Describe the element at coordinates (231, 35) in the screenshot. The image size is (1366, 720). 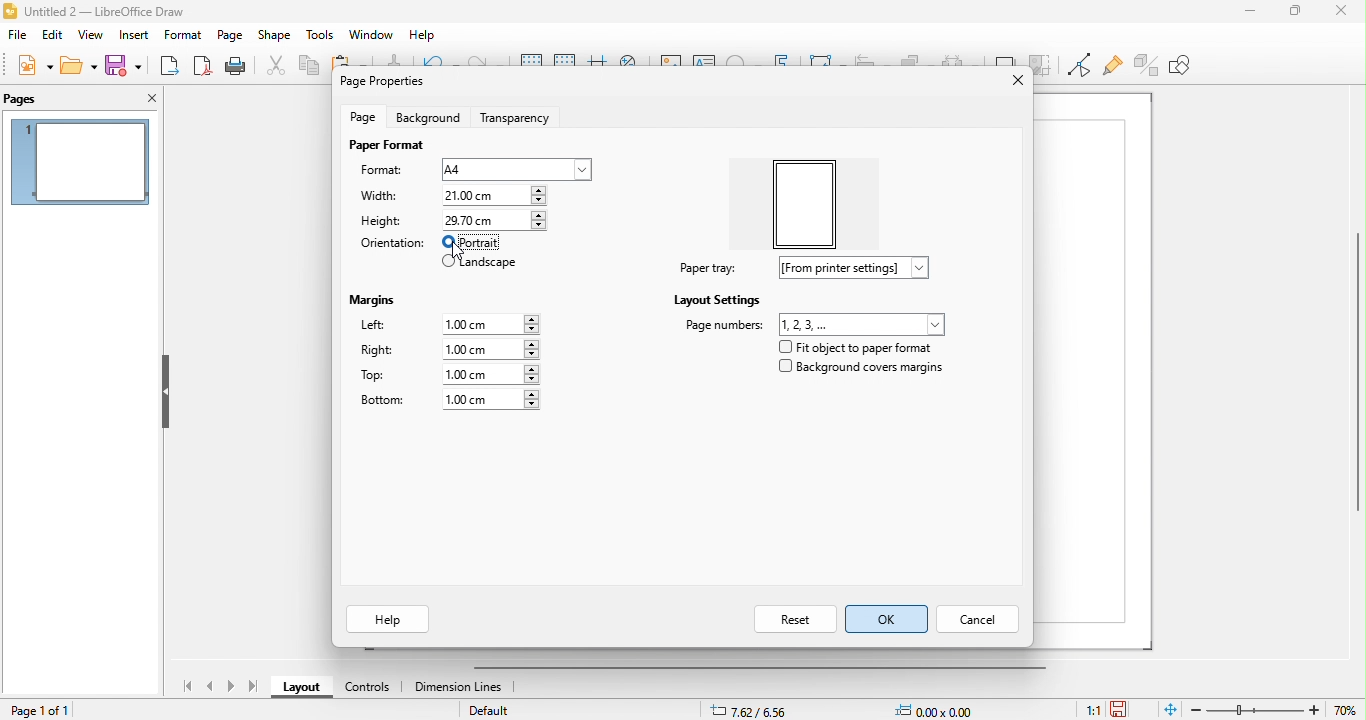
I see `page` at that location.